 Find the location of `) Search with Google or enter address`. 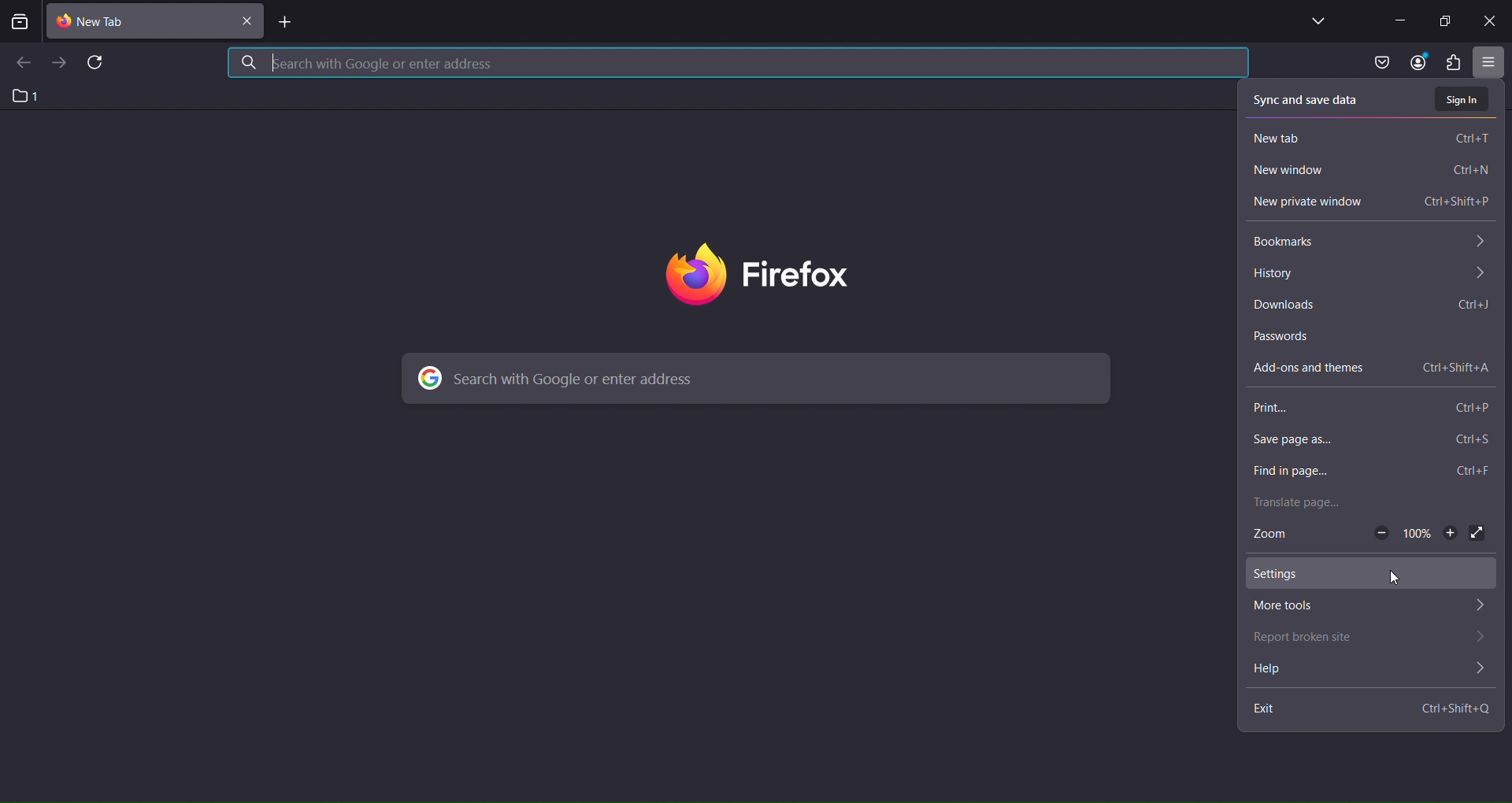

) Search with Google or enter address is located at coordinates (561, 379).